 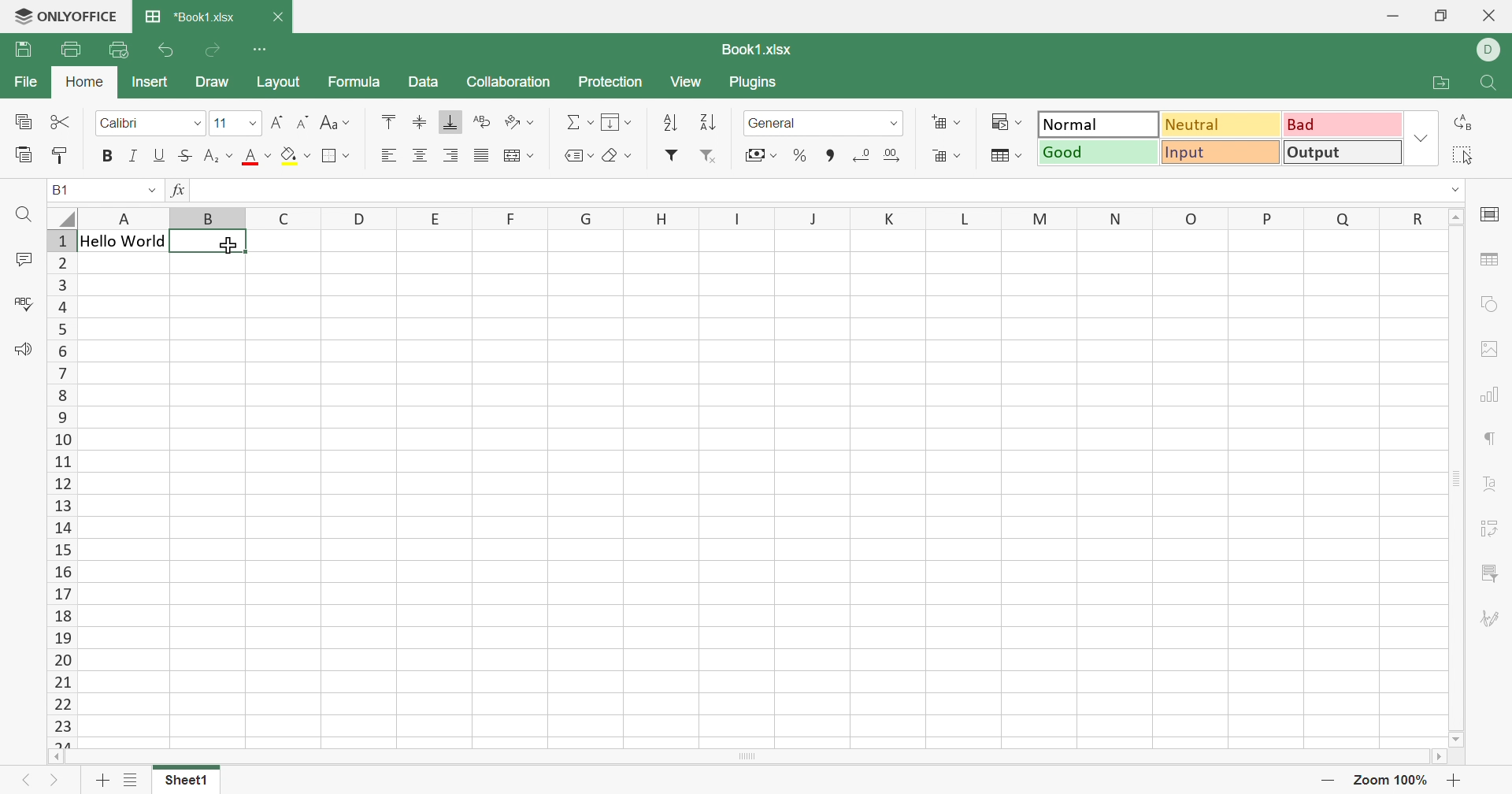 I want to click on Paste, so click(x=26, y=154).